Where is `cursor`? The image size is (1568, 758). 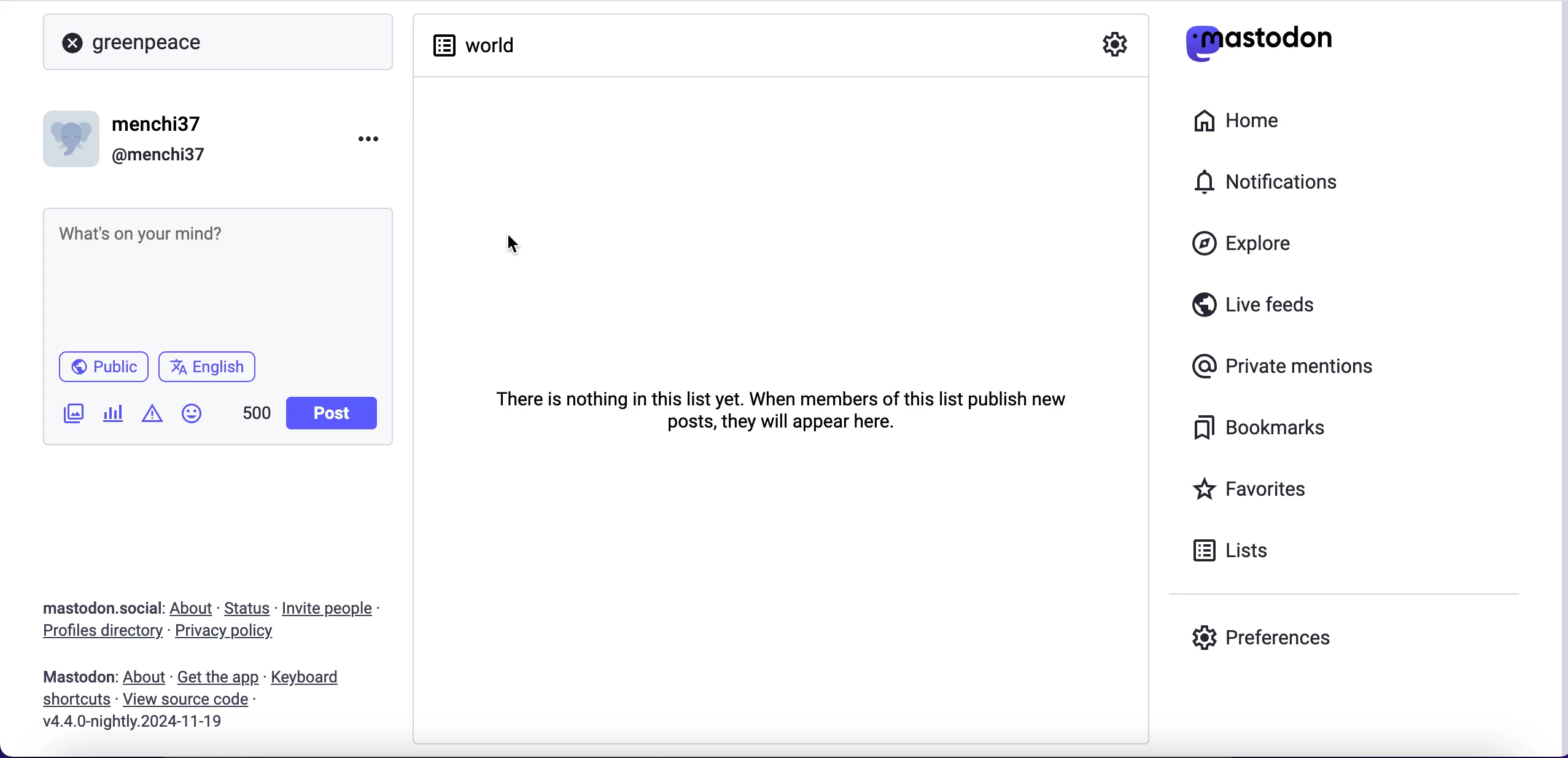 cursor is located at coordinates (513, 245).